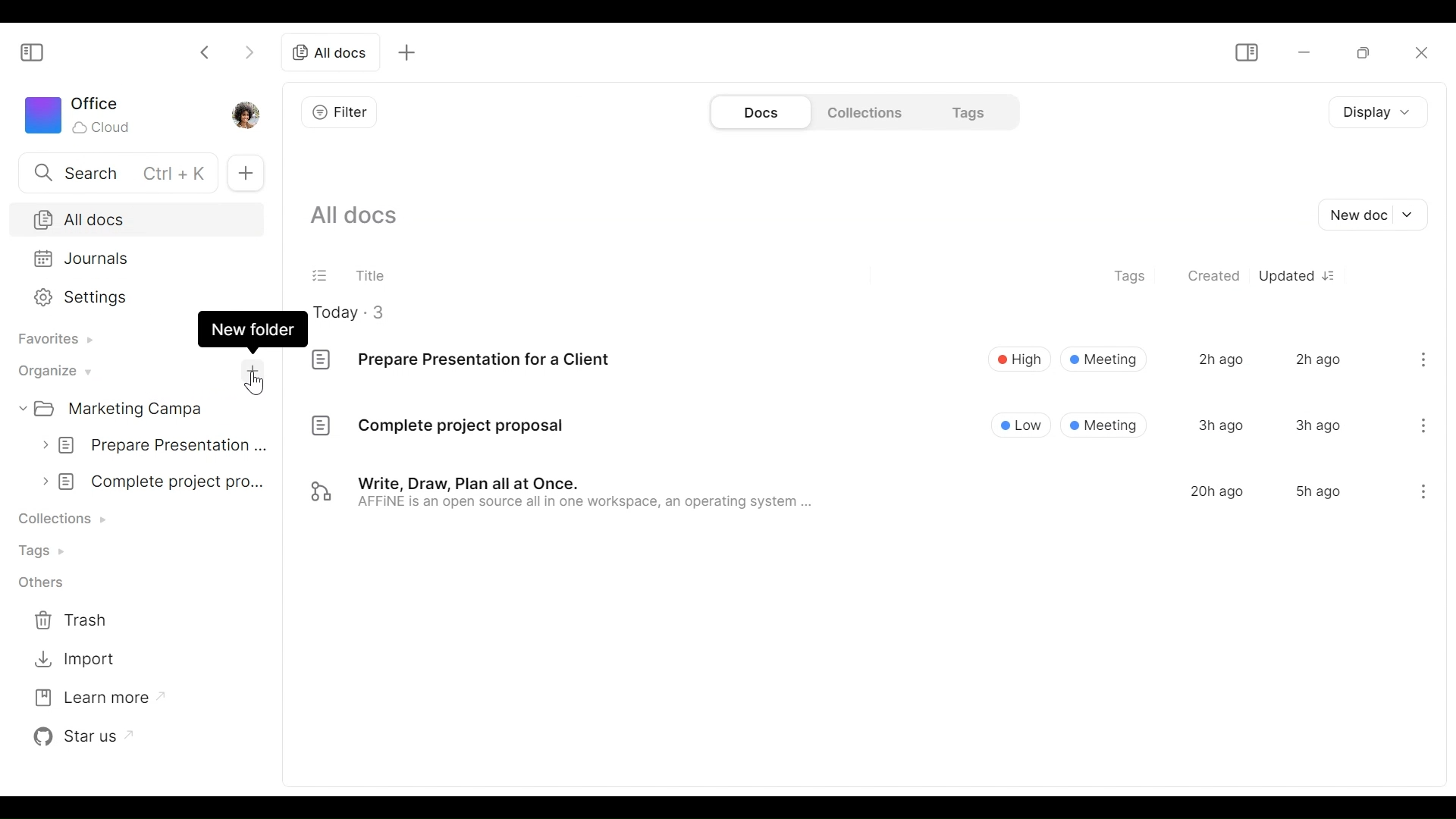  Describe the element at coordinates (371, 272) in the screenshot. I see `Title` at that location.